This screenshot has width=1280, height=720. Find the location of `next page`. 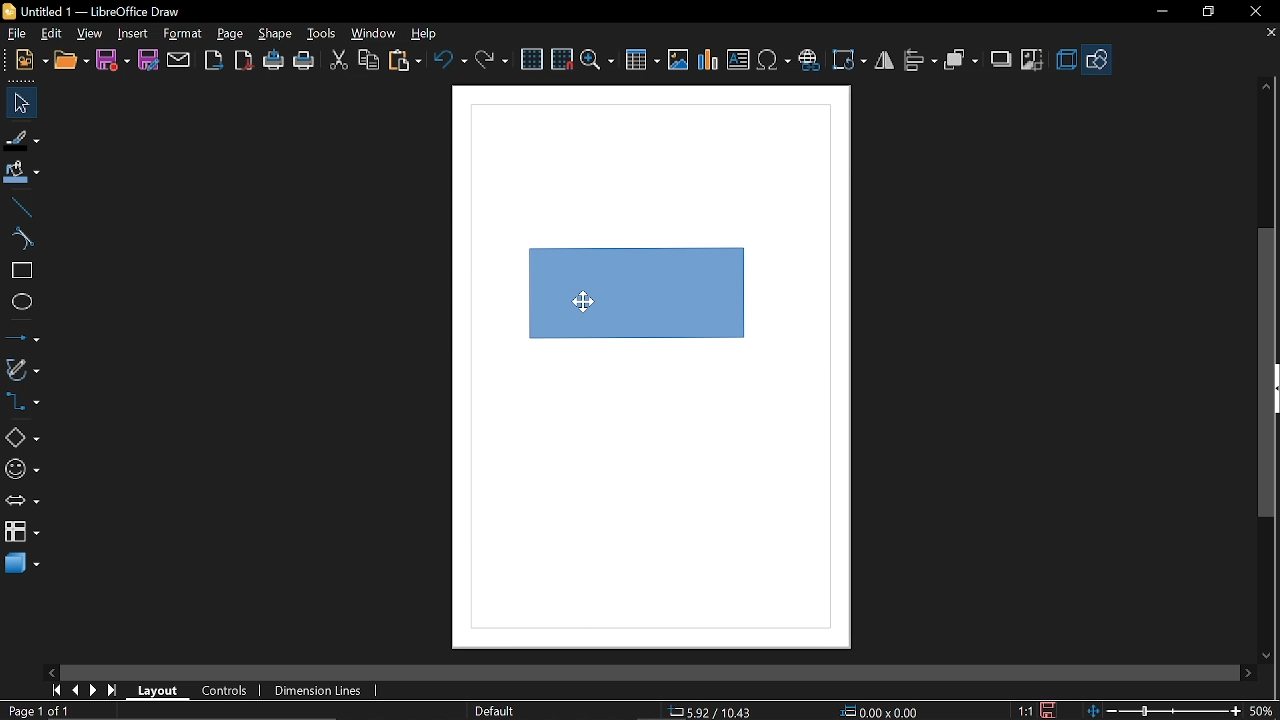

next page is located at coordinates (94, 691).